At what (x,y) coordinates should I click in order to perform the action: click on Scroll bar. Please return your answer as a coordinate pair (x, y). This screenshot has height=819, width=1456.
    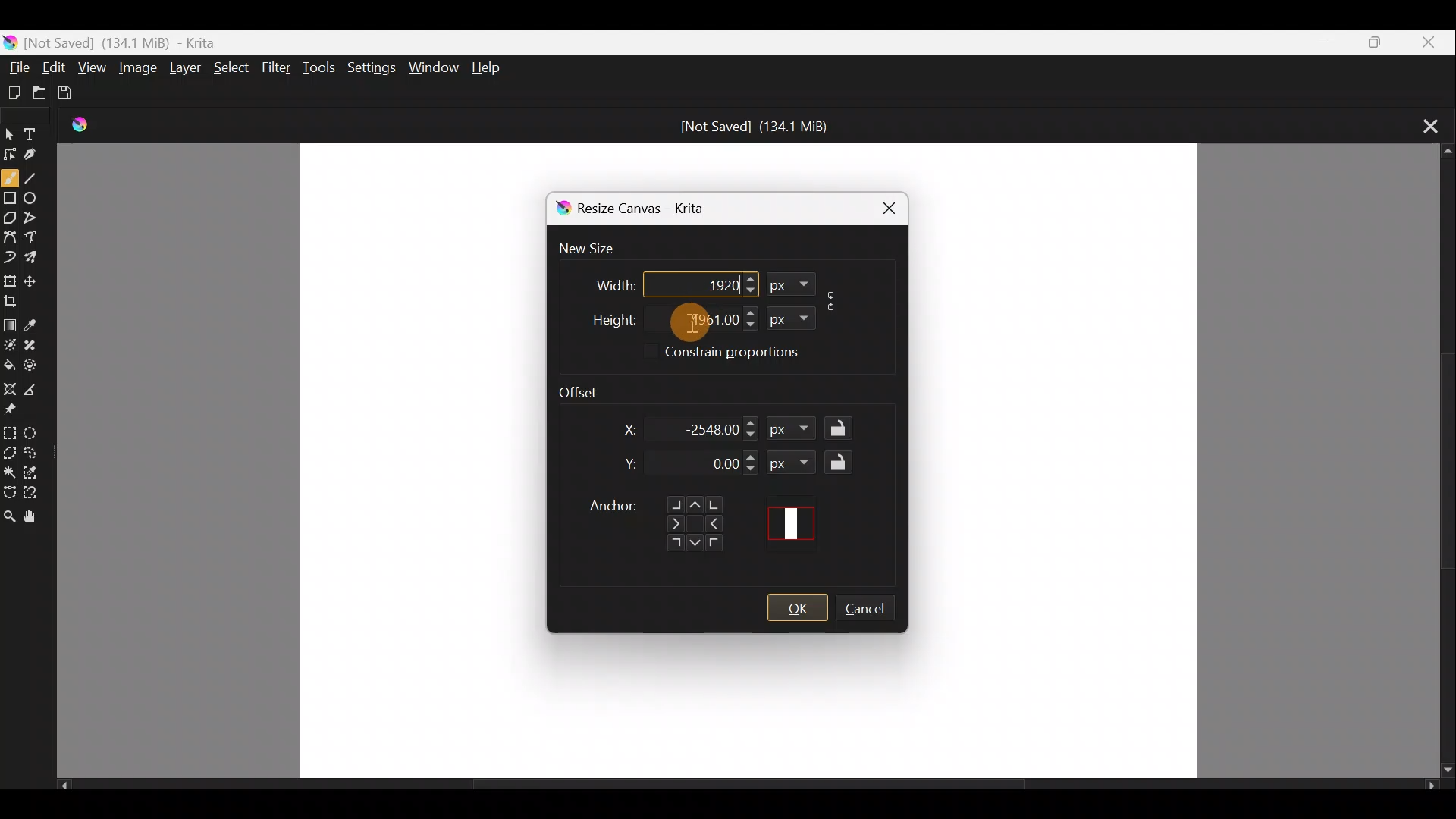
    Looking at the image, I should click on (748, 789).